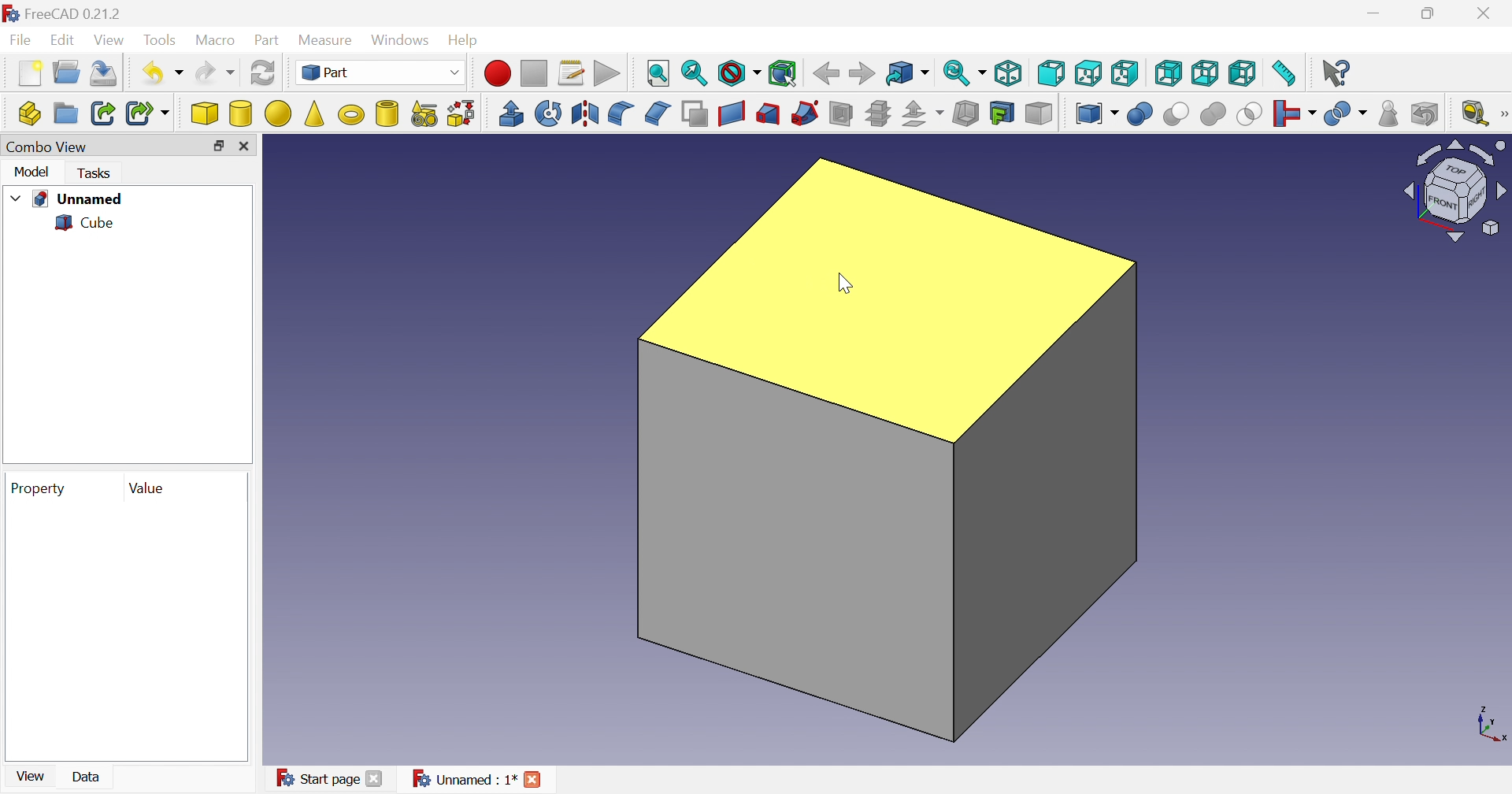 Image resolution: width=1512 pixels, height=794 pixels. I want to click on Open, so click(67, 72).